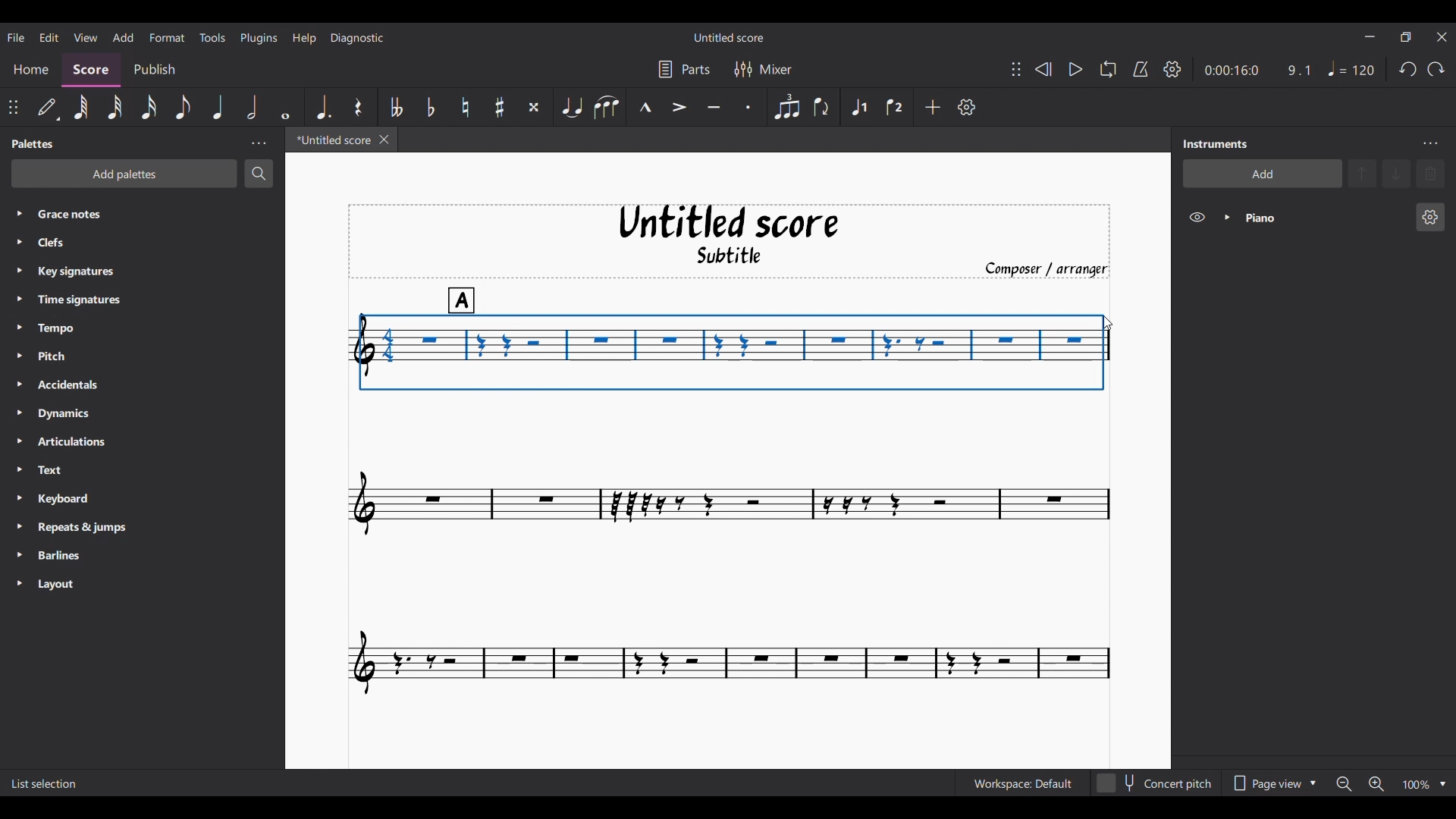  I want to click on Change position of toolbar attached, so click(1016, 69).